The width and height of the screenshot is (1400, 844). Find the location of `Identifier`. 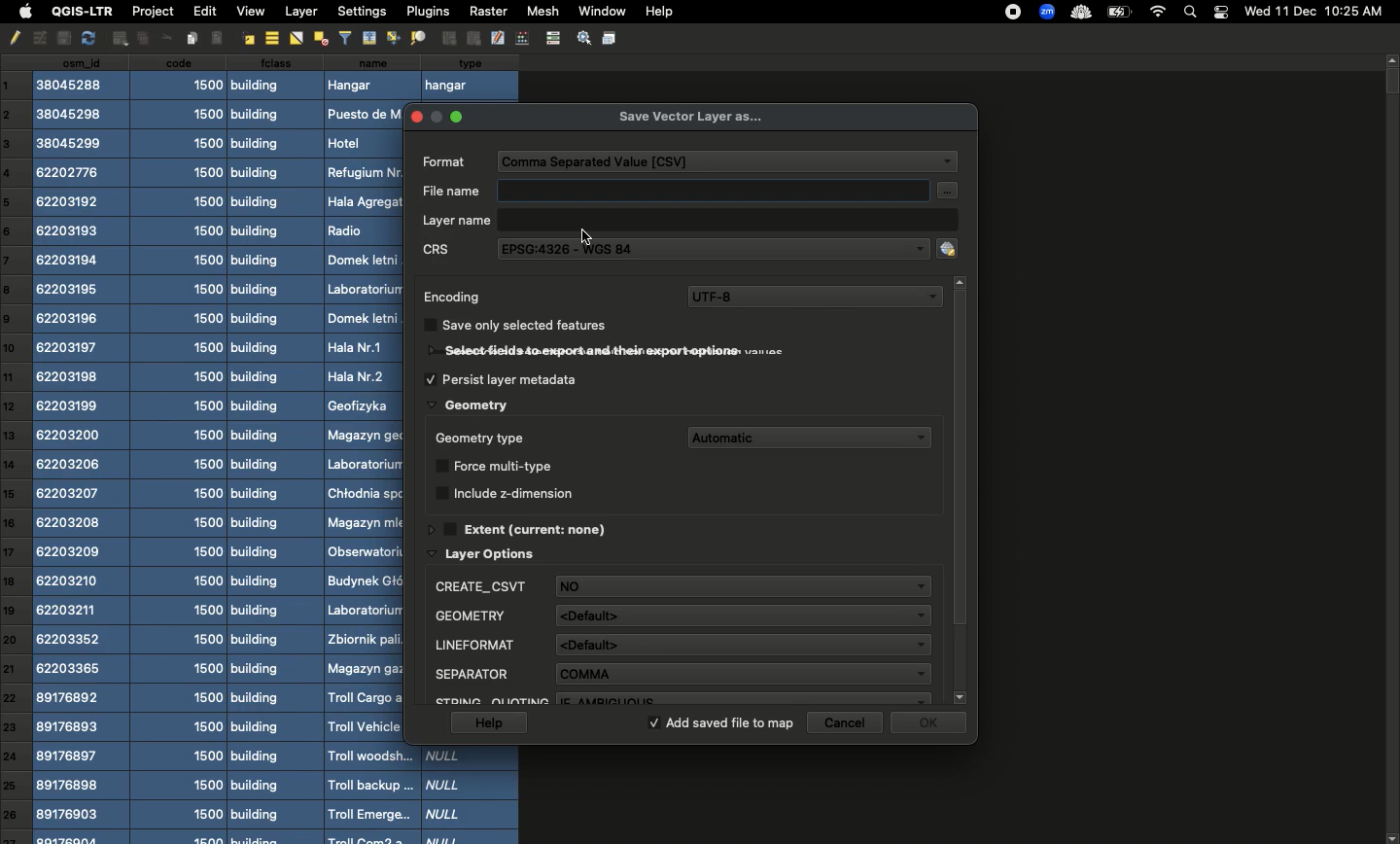

Identifier is located at coordinates (683, 672).